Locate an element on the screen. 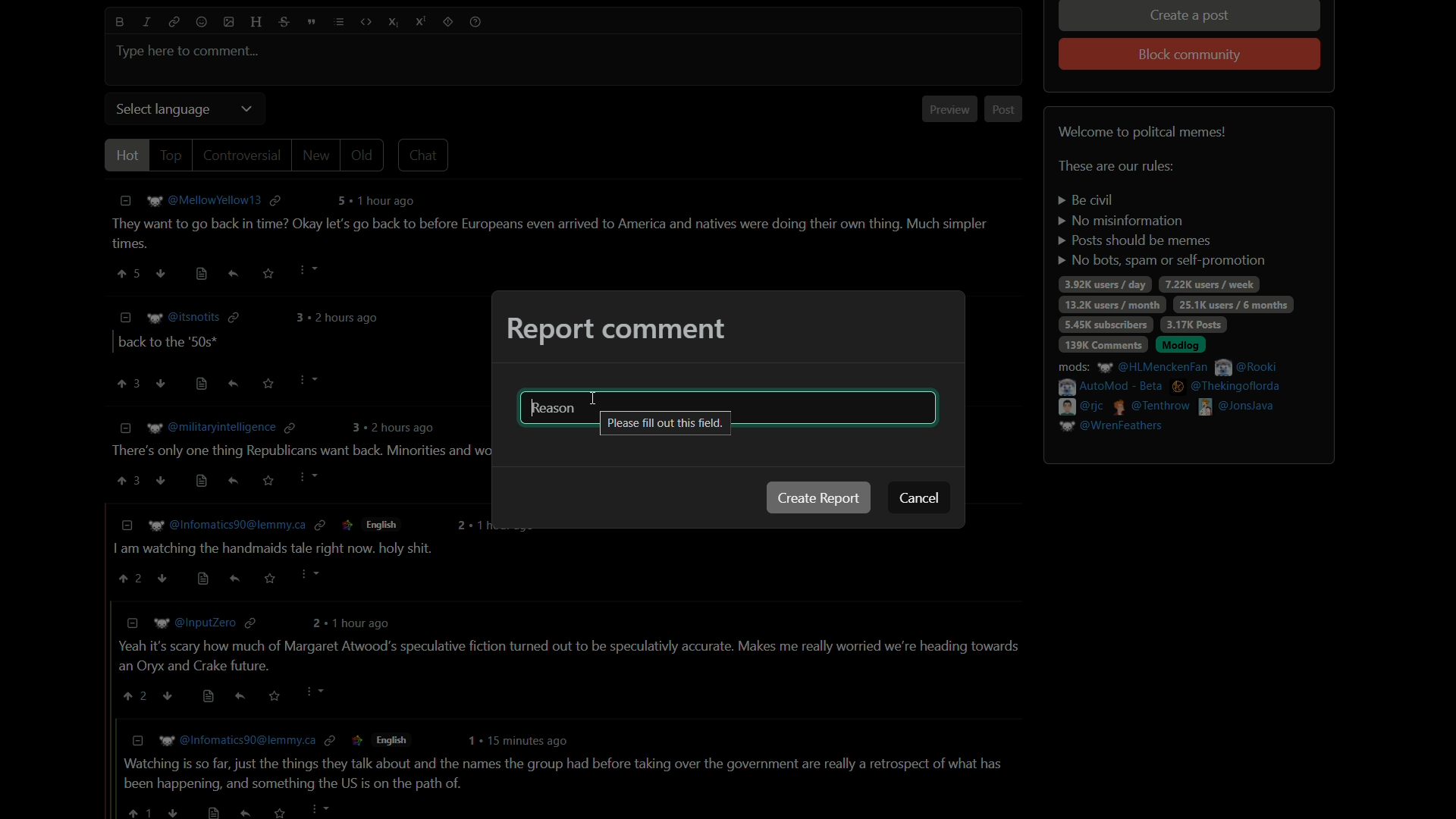 The image size is (1456, 819). hot is located at coordinates (128, 155).